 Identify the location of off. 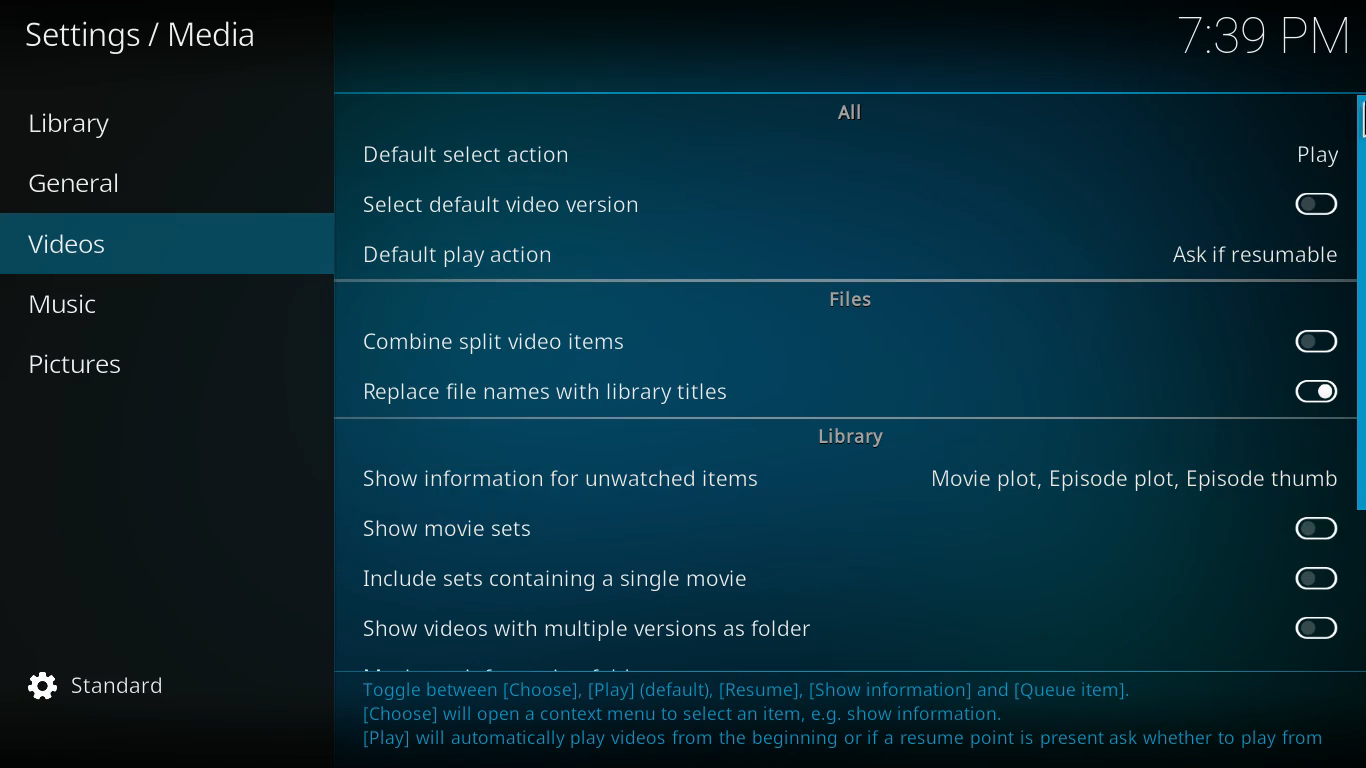
(1320, 205).